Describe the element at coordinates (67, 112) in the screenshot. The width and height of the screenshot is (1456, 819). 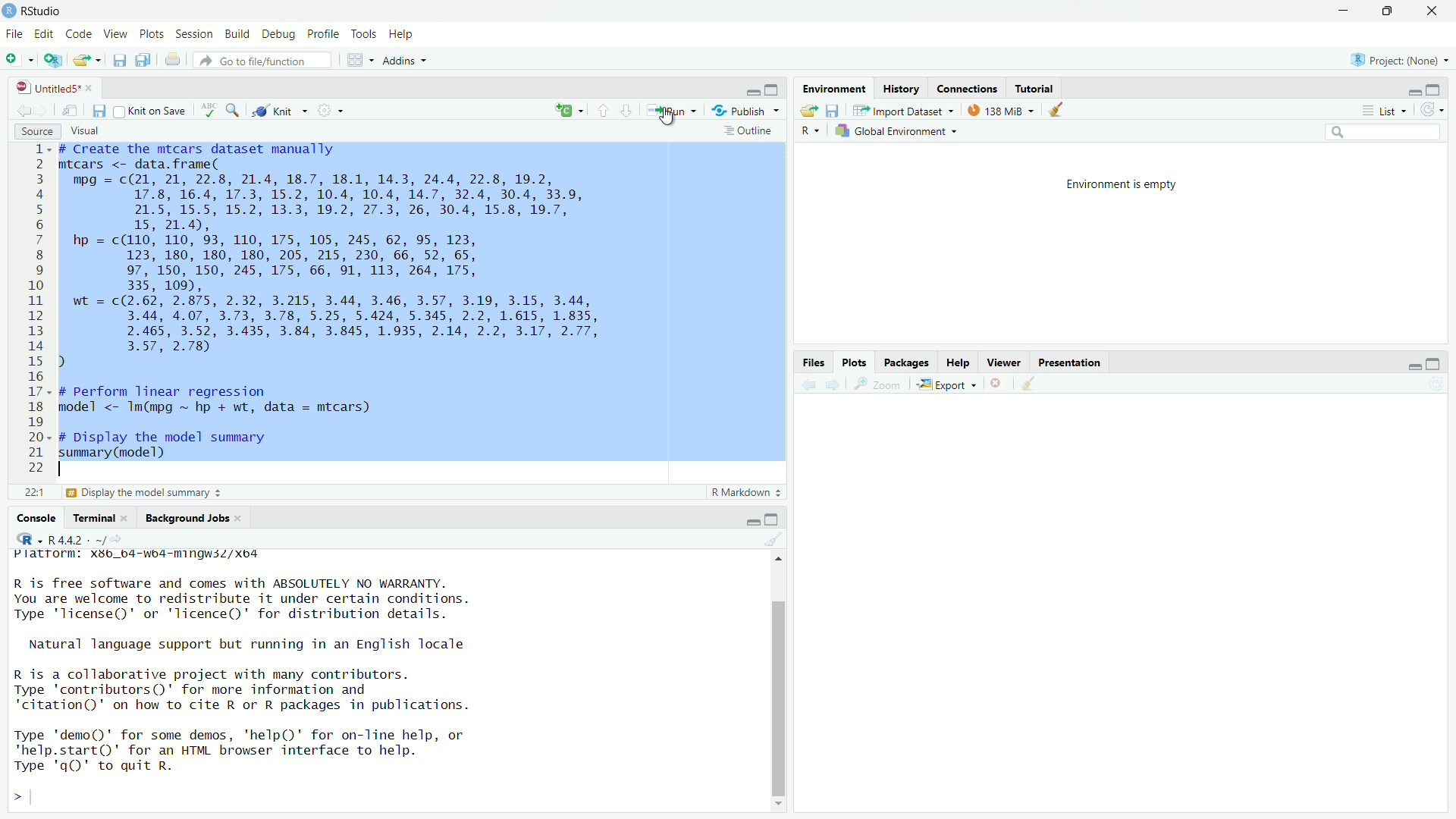
I see `show in new window` at that location.